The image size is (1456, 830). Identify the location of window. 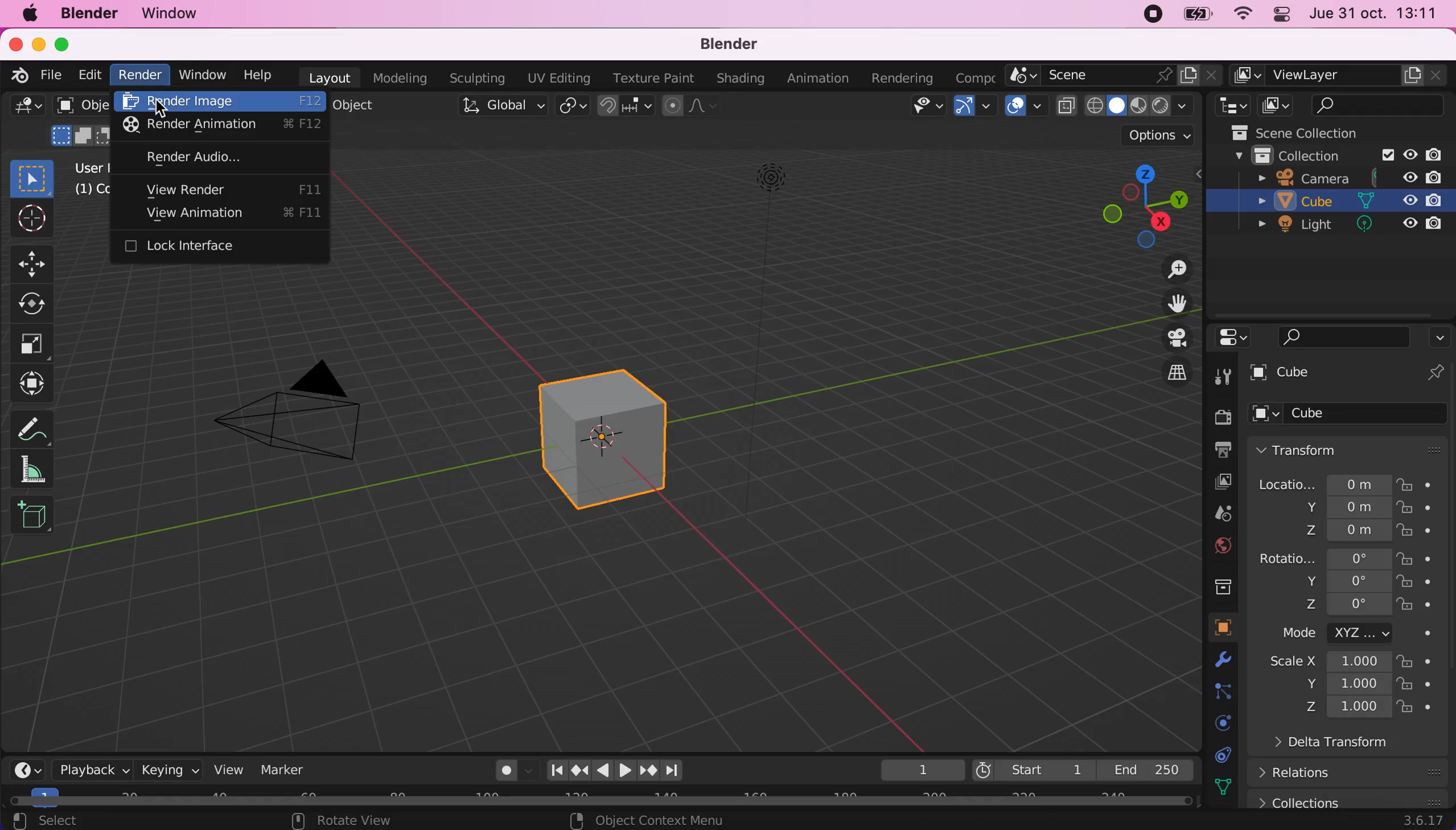
(206, 74).